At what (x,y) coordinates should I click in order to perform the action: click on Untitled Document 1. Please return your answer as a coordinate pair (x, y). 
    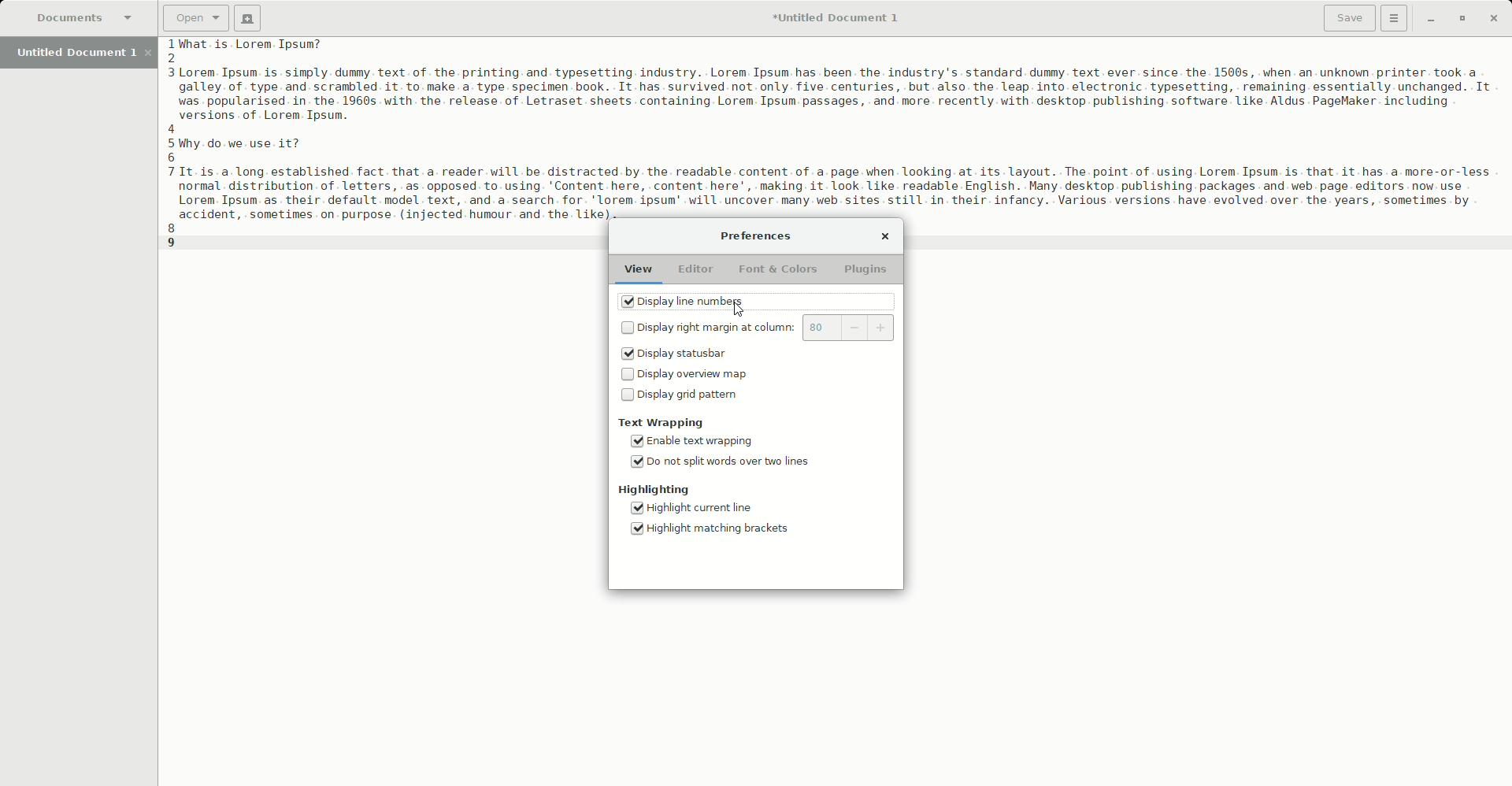
    Looking at the image, I should click on (838, 19).